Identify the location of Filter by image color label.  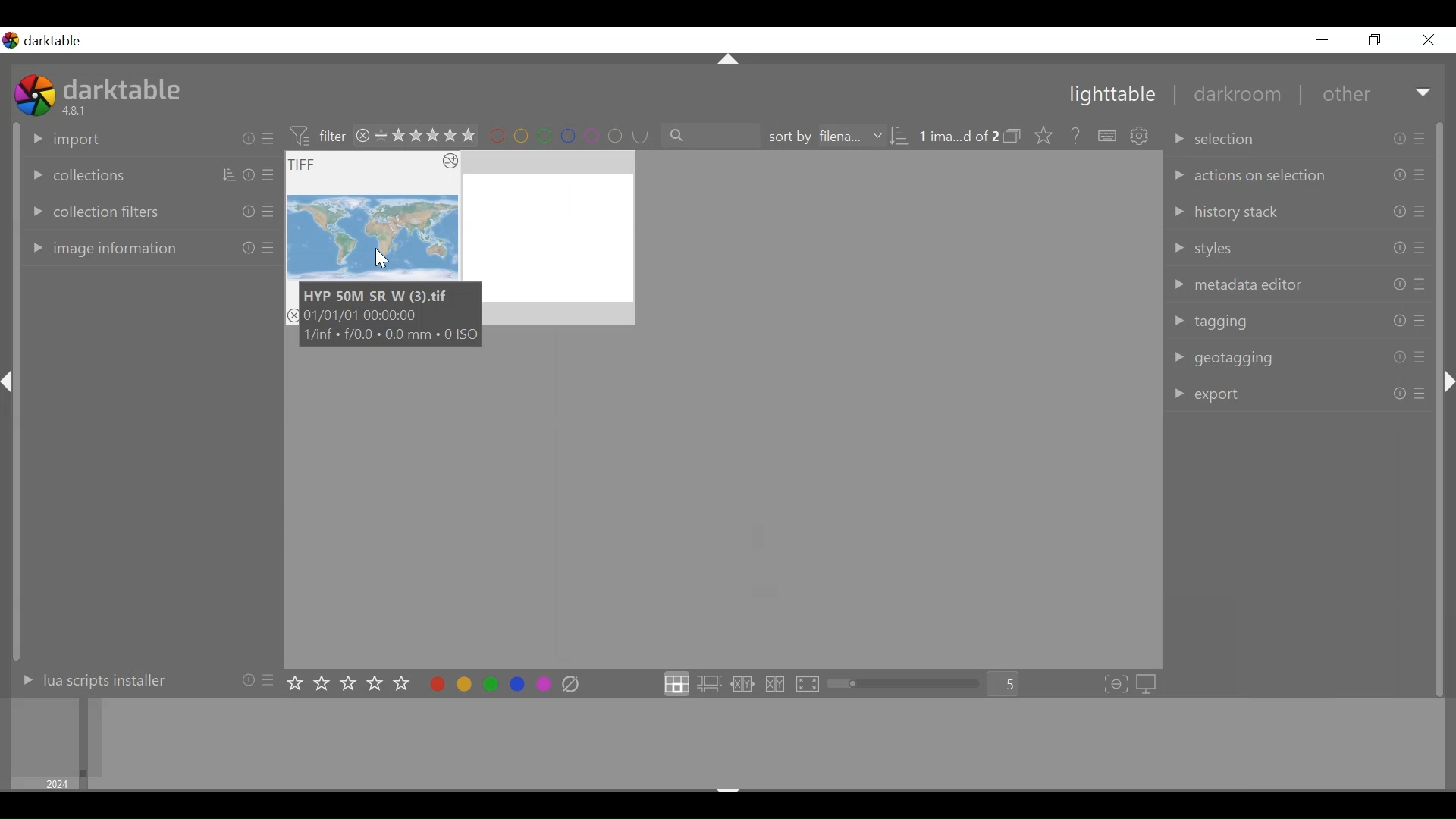
(567, 136).